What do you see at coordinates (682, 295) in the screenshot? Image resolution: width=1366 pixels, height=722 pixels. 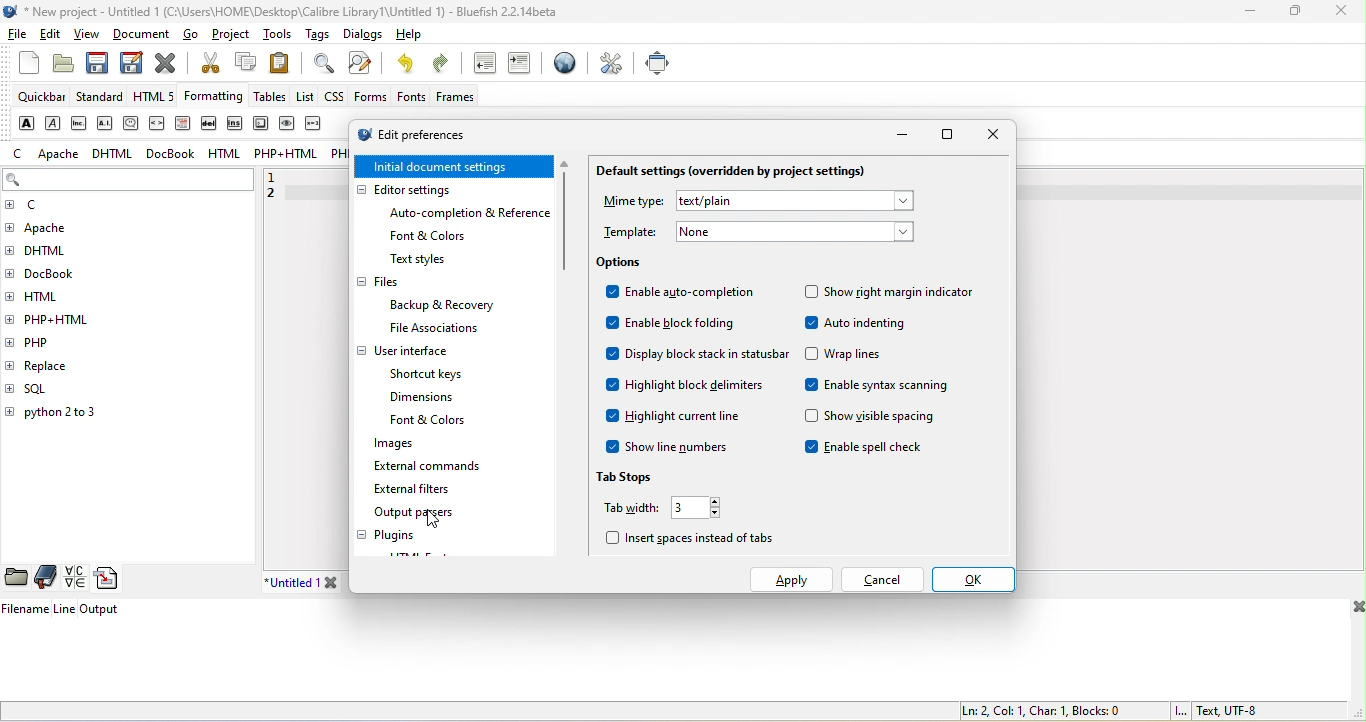 I see `enable auto completion` at bounding box center [682, 295].